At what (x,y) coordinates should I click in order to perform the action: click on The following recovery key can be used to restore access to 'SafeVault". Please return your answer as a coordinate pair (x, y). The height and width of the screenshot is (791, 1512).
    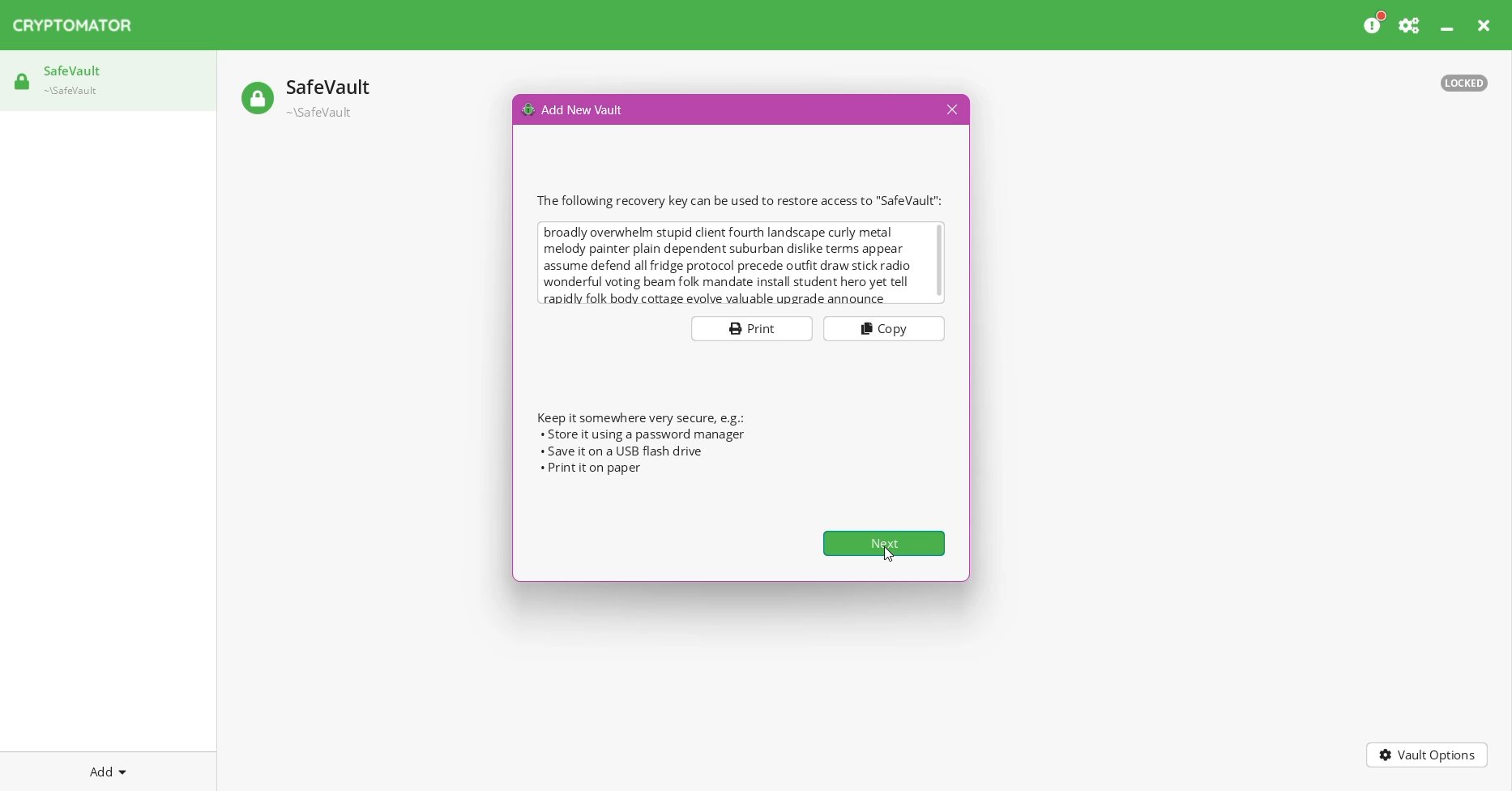
    Looking at the image, I should click on (737, 199).